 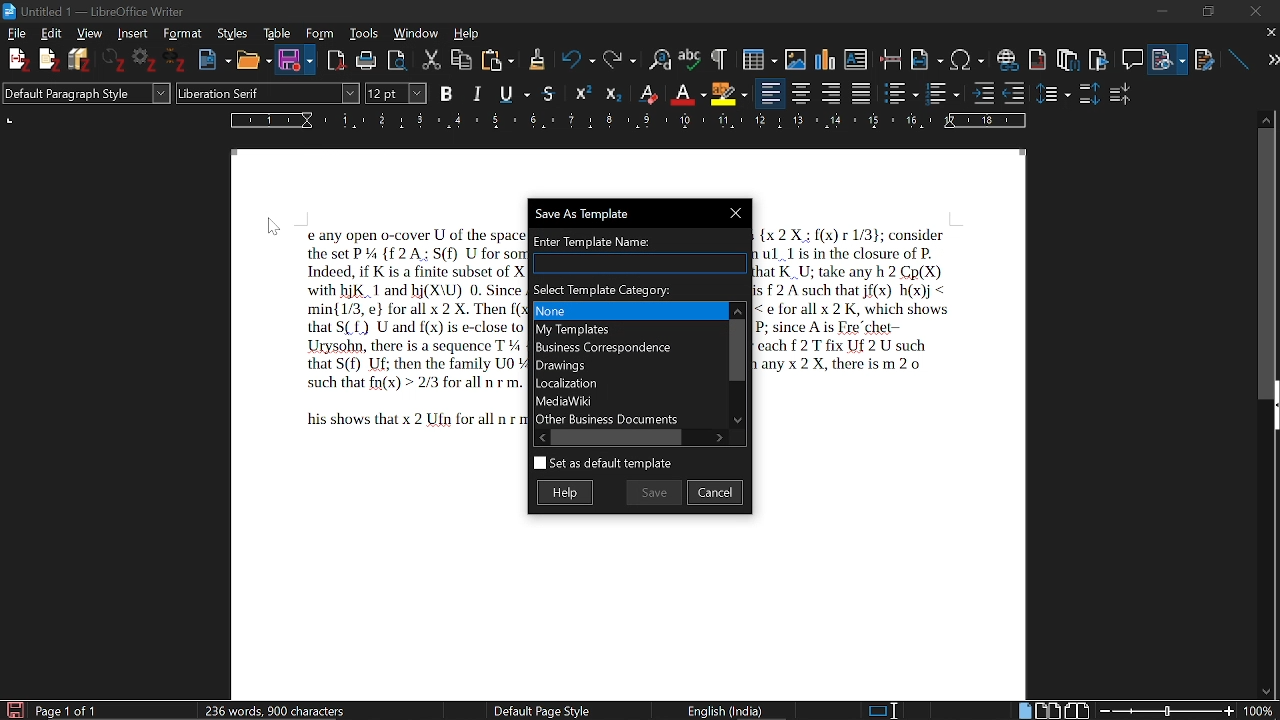 I want to click on Insert, so click(x=131, y=34).